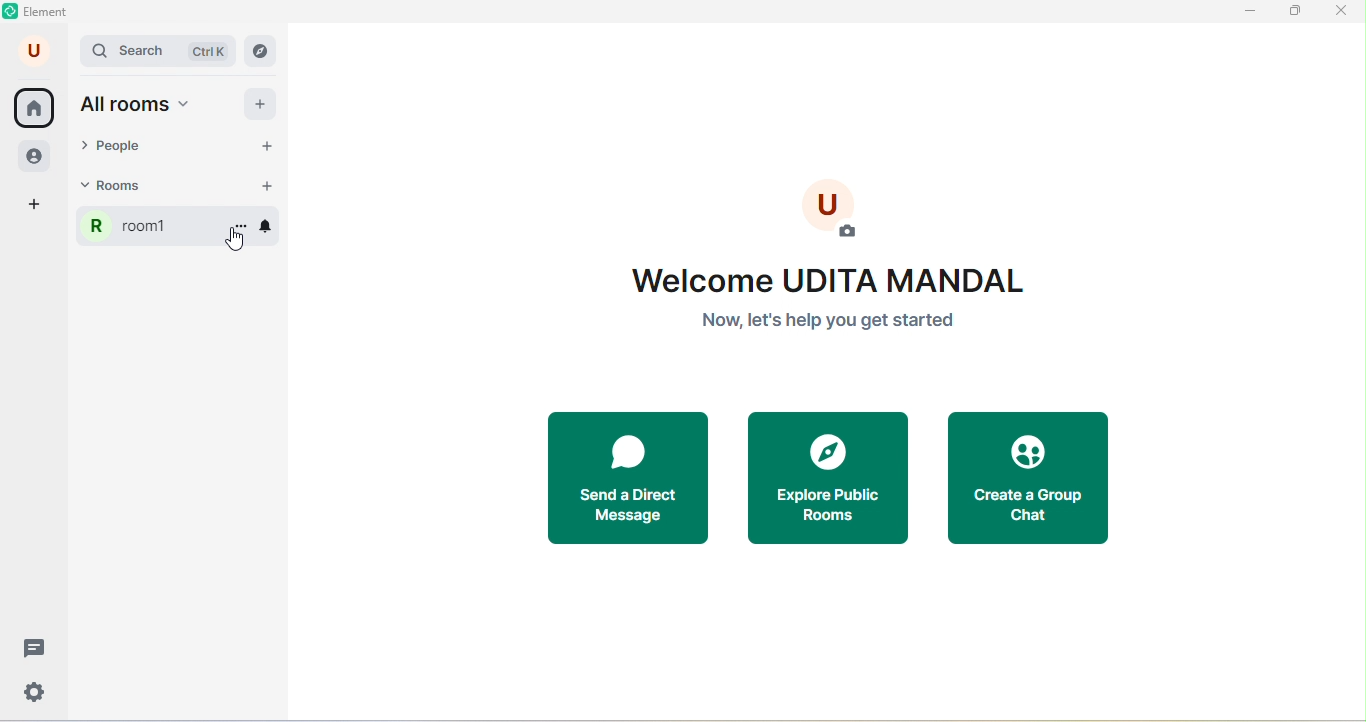 This screenshot has width=1366, height=722. What do you see at coordinates (39, 13) in the screenshot?
I see `element` at bounding box center [39, 13].